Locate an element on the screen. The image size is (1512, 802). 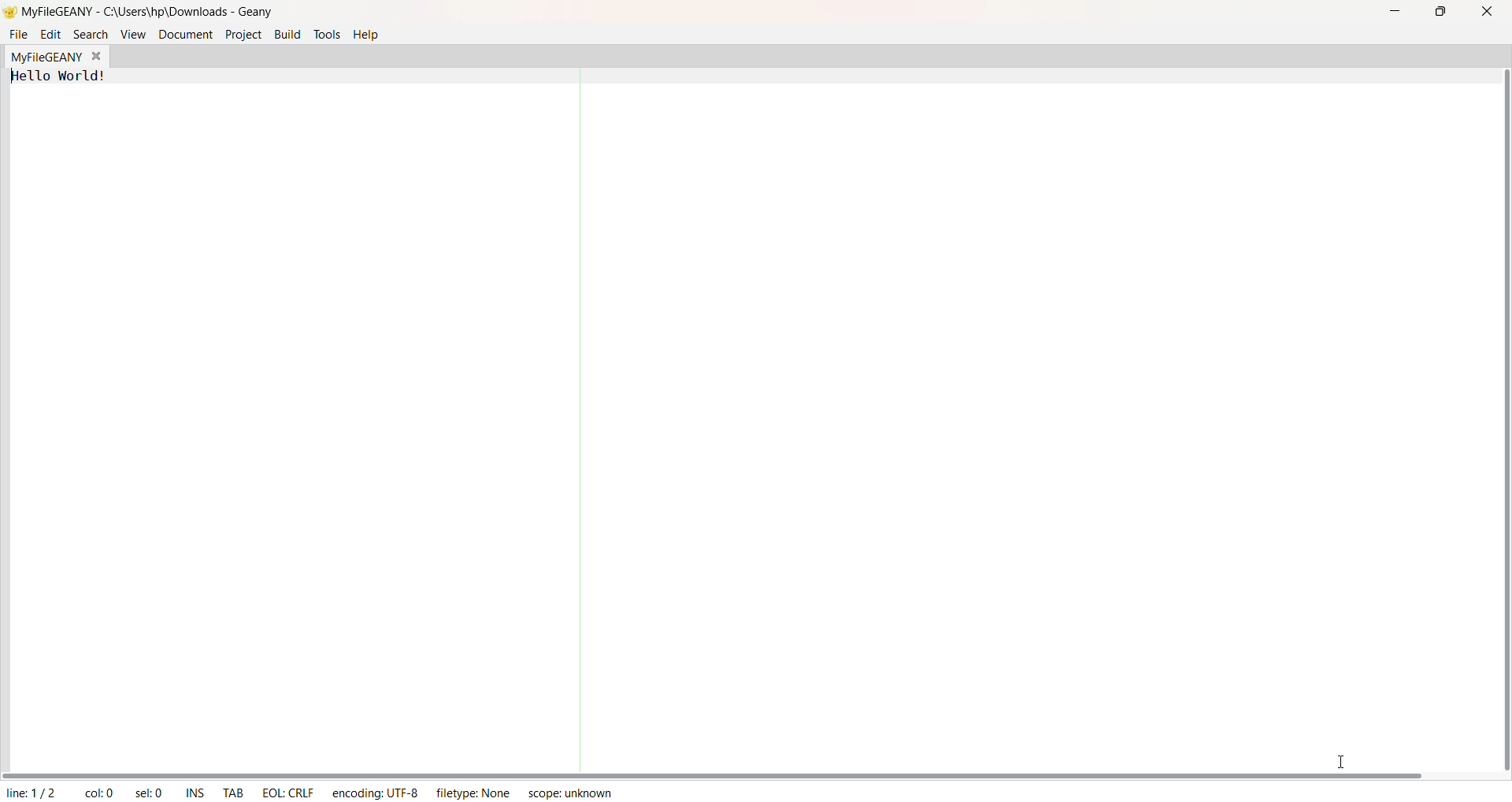
Edit is located at coordinates (50, 35).